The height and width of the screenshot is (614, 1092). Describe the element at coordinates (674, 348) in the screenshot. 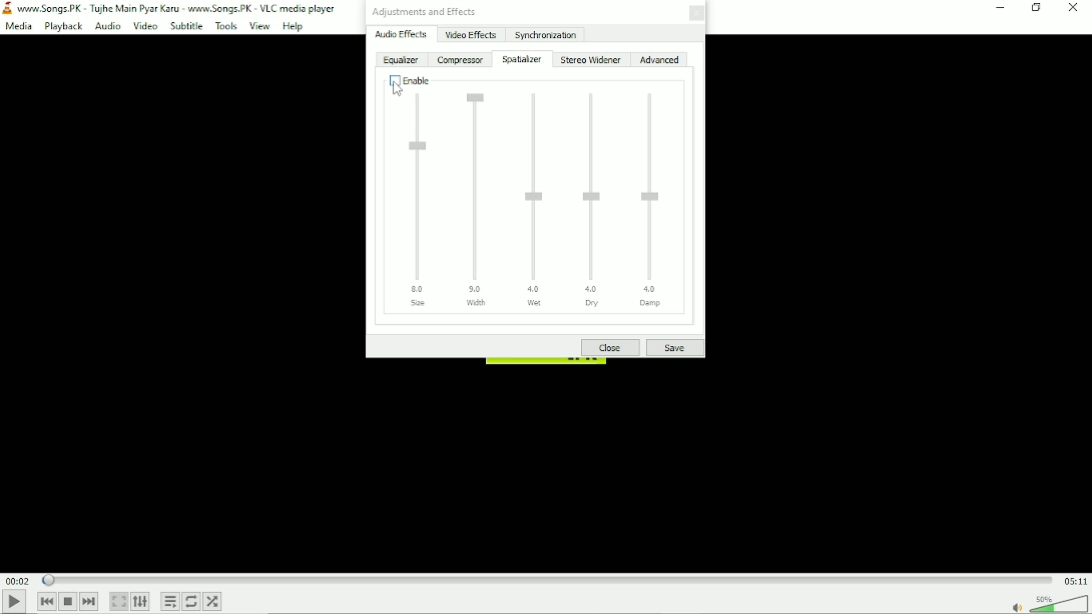

I see `Save` at that location.